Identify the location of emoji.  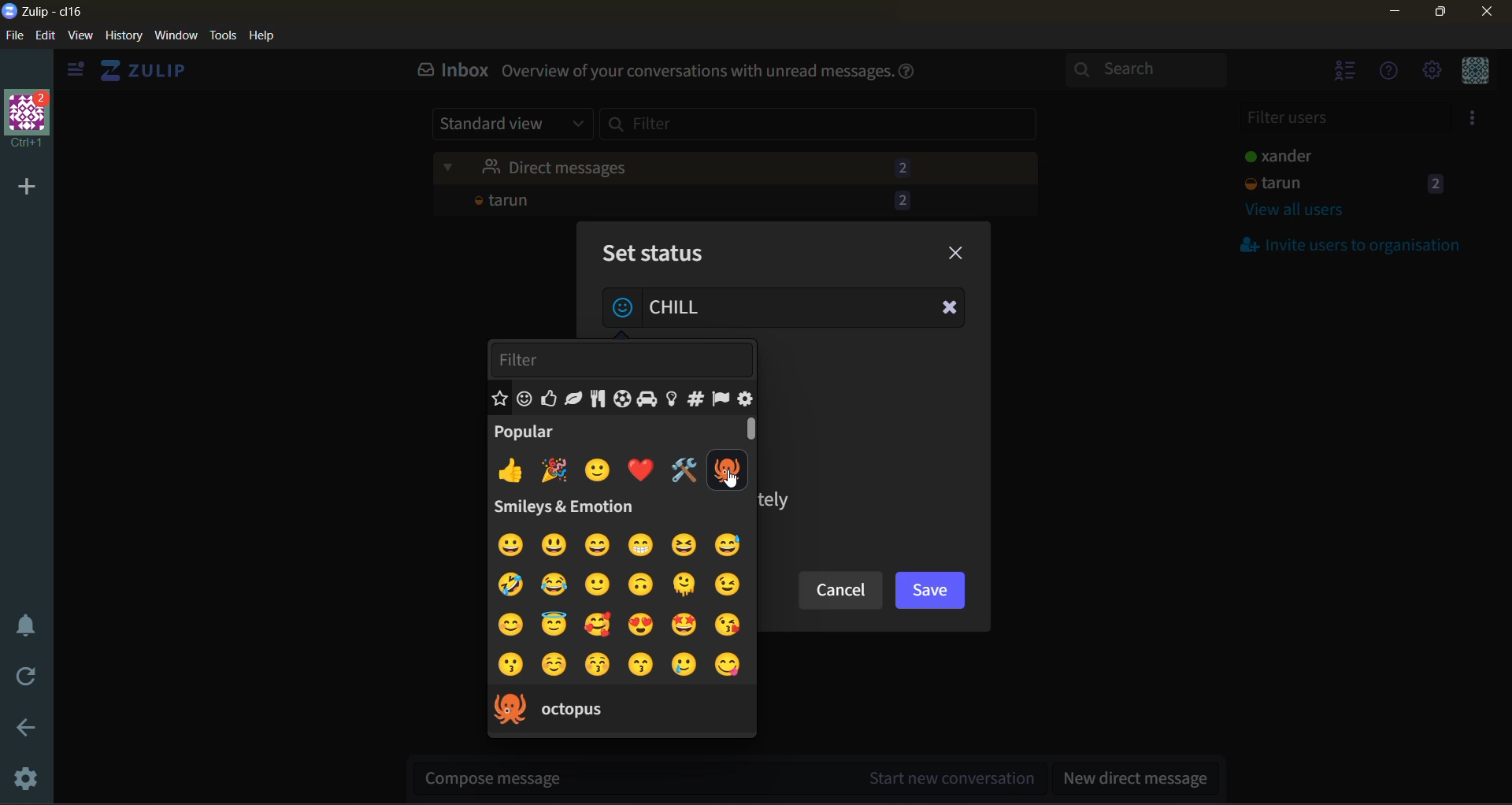
(510, 623).